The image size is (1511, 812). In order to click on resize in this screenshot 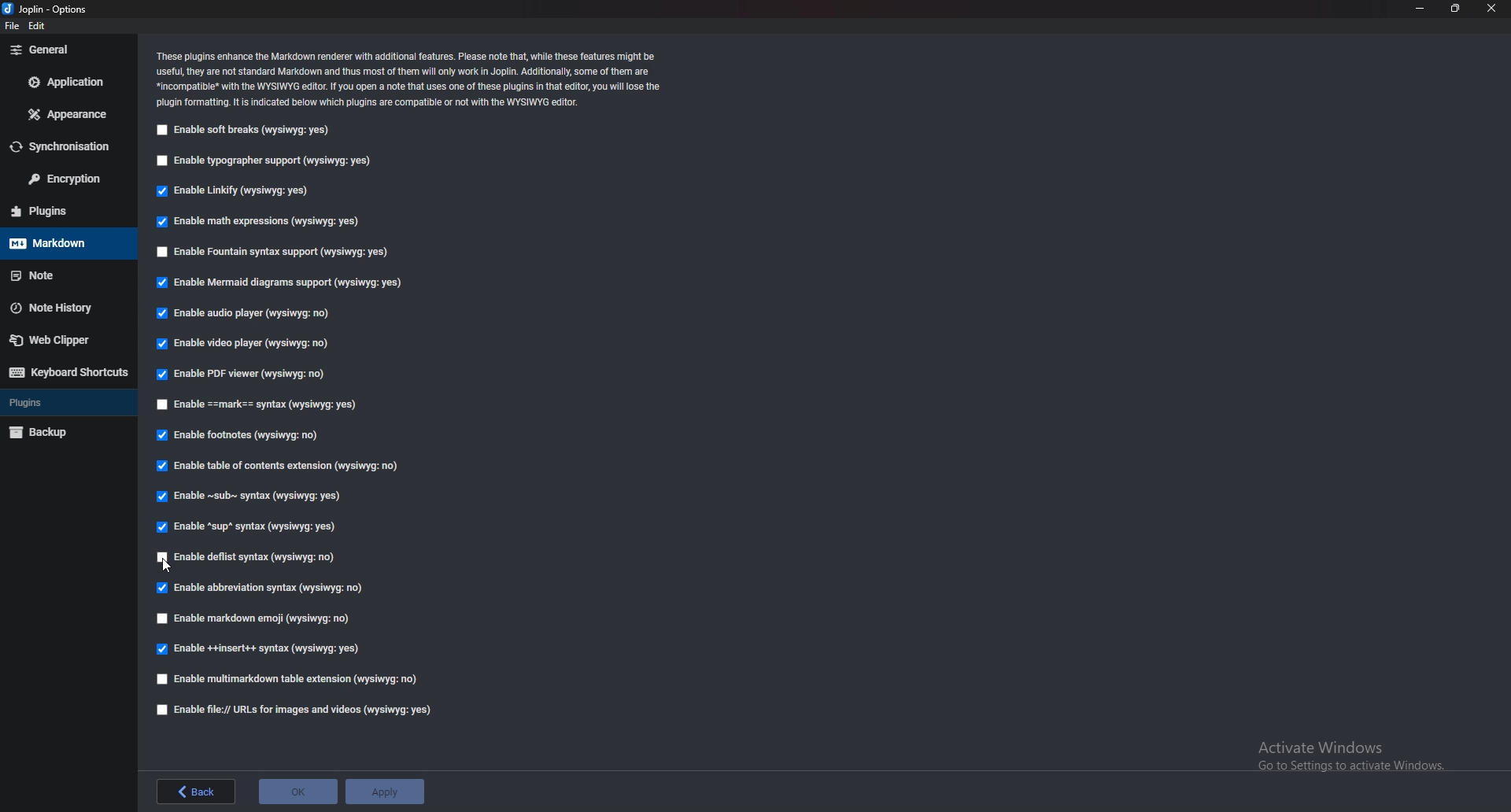, I will do `click(1455, 9)`.